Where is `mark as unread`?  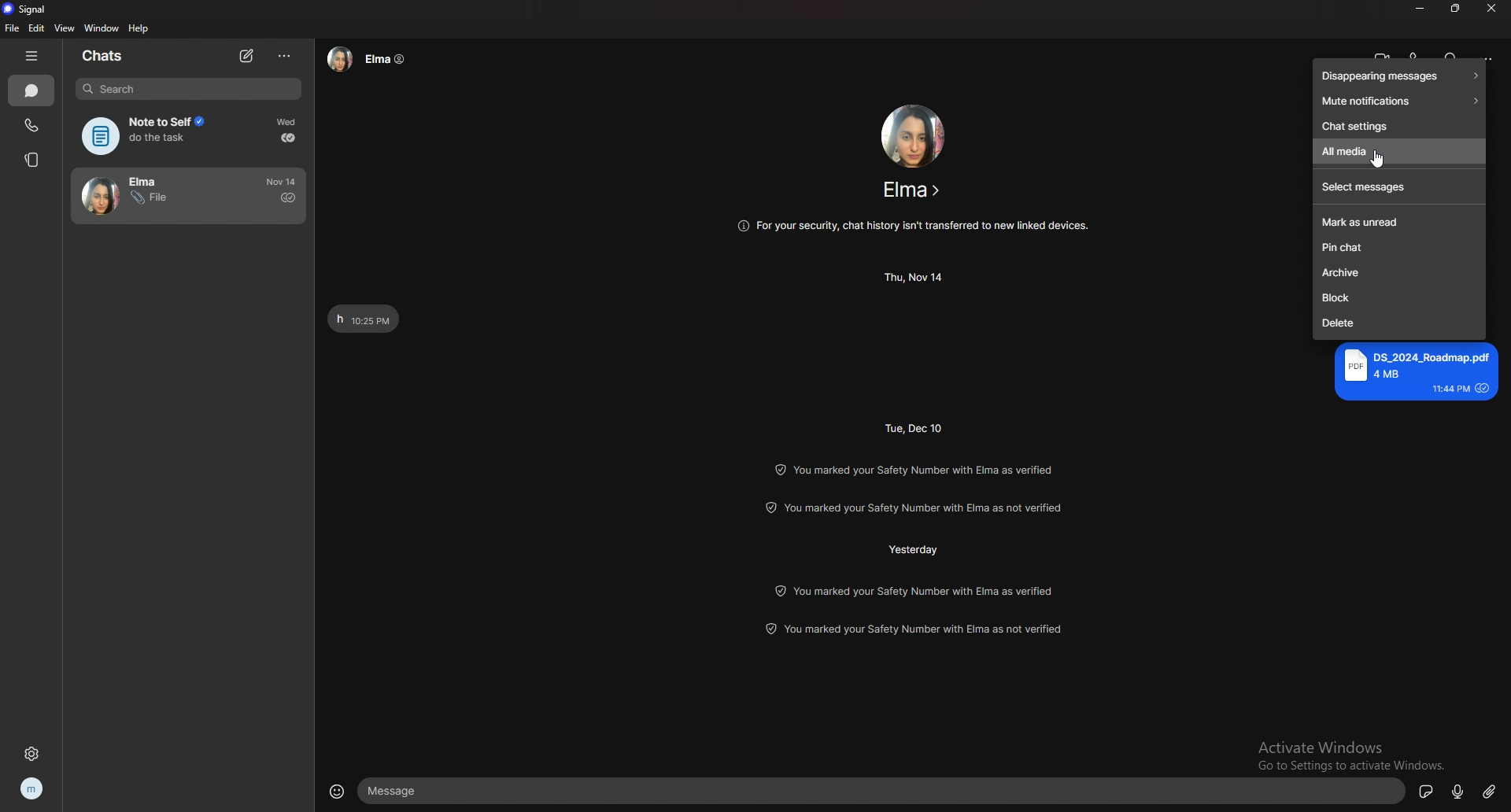 mark as unread is located at coordinates (1400, 223).